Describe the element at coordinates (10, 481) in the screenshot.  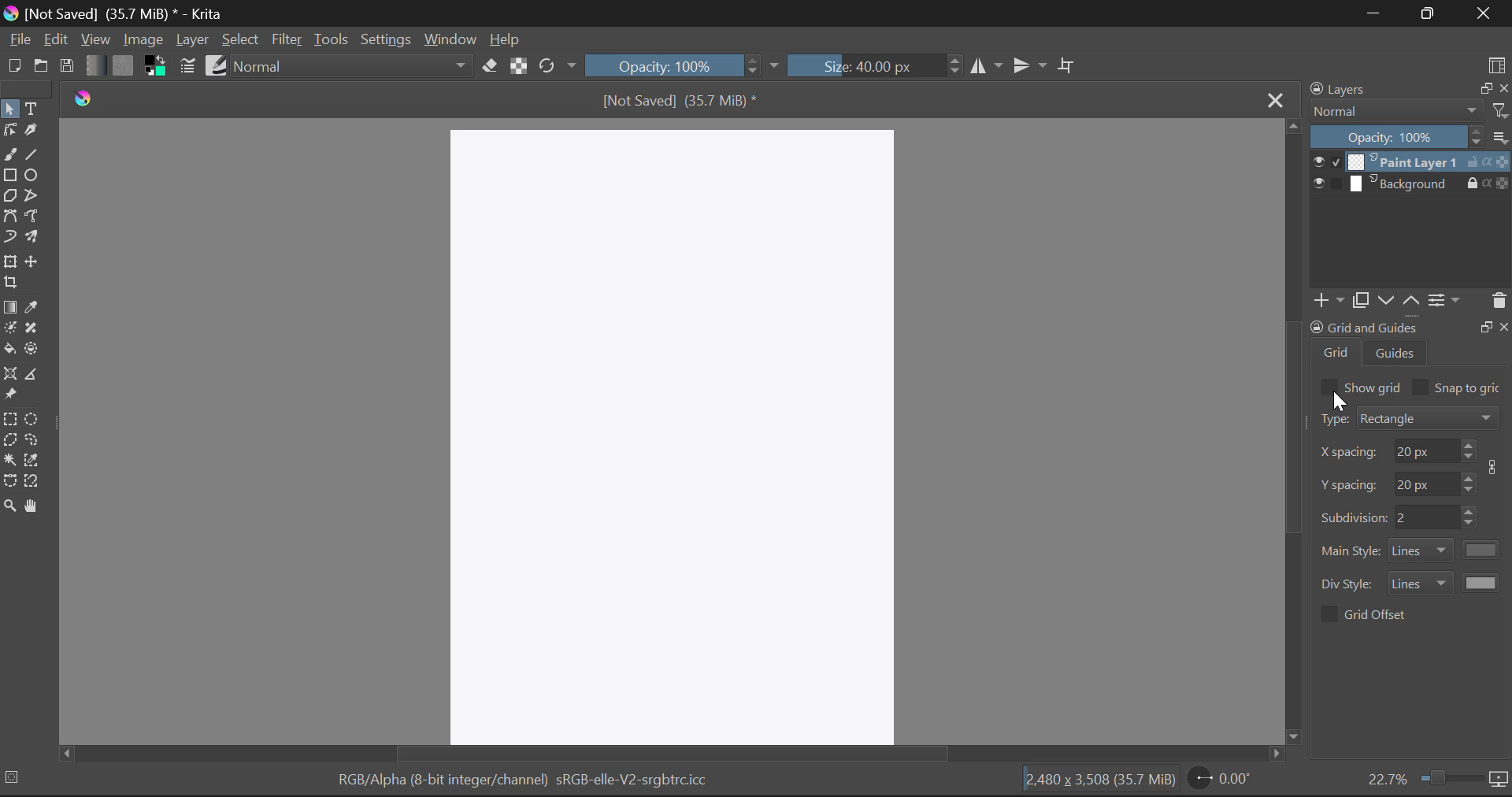
I see `Bezier Curve Selection` at that location.